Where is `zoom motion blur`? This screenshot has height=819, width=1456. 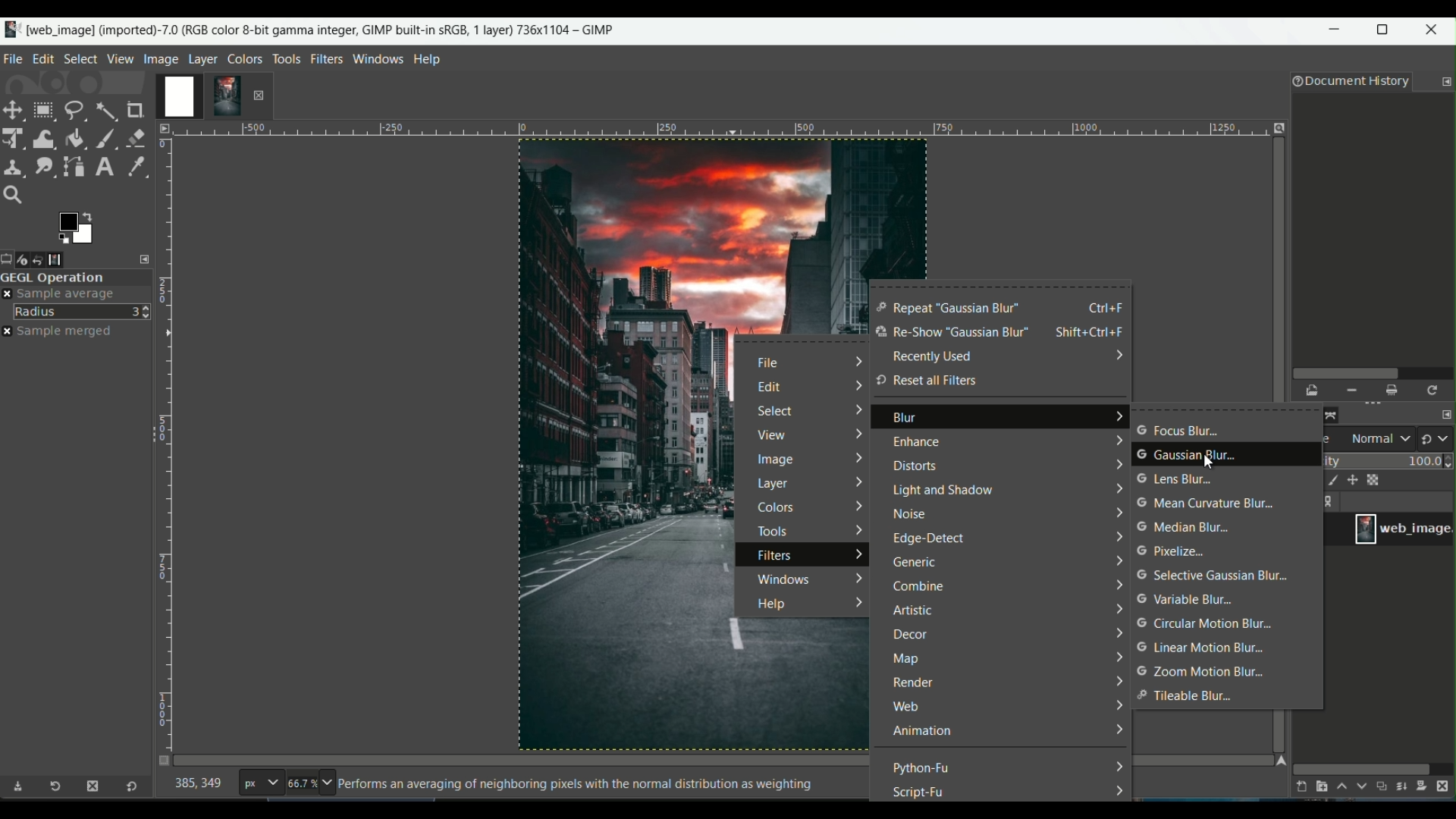
zoom motion blur is located at coordinates (1203, 671).